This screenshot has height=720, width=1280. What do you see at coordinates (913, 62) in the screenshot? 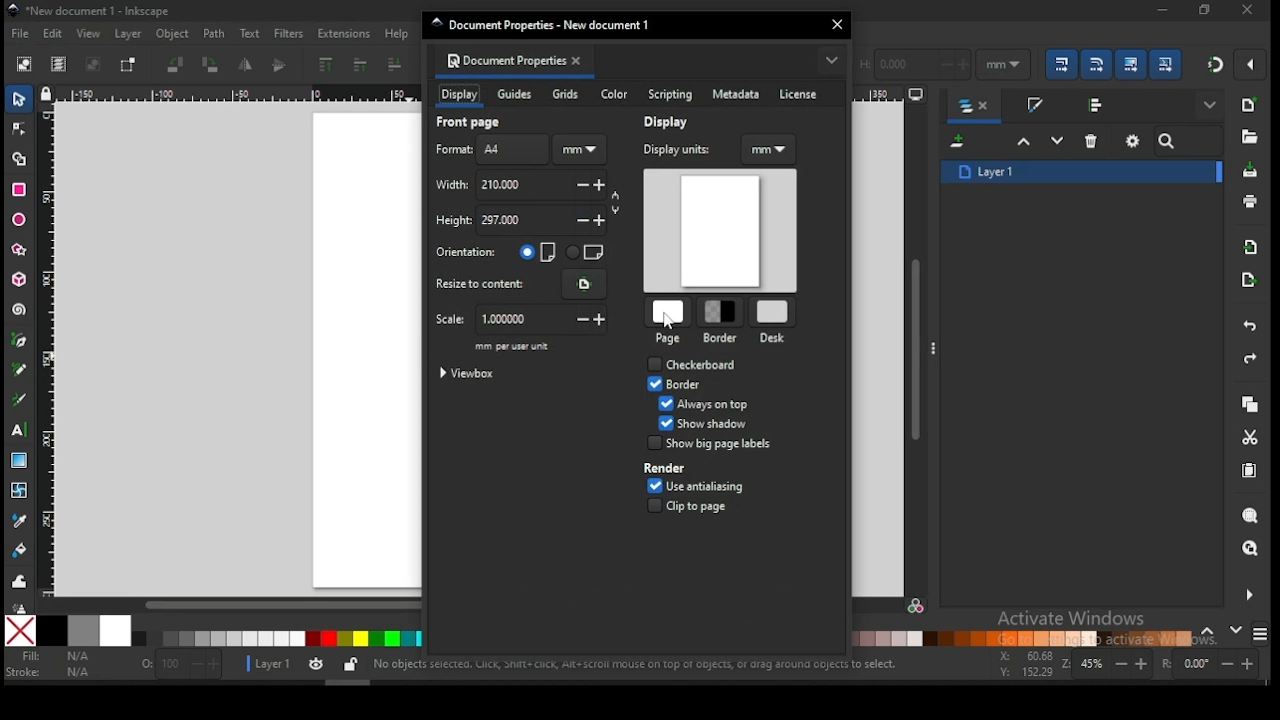
I see `height of selection` at bounding box center [913, 62].